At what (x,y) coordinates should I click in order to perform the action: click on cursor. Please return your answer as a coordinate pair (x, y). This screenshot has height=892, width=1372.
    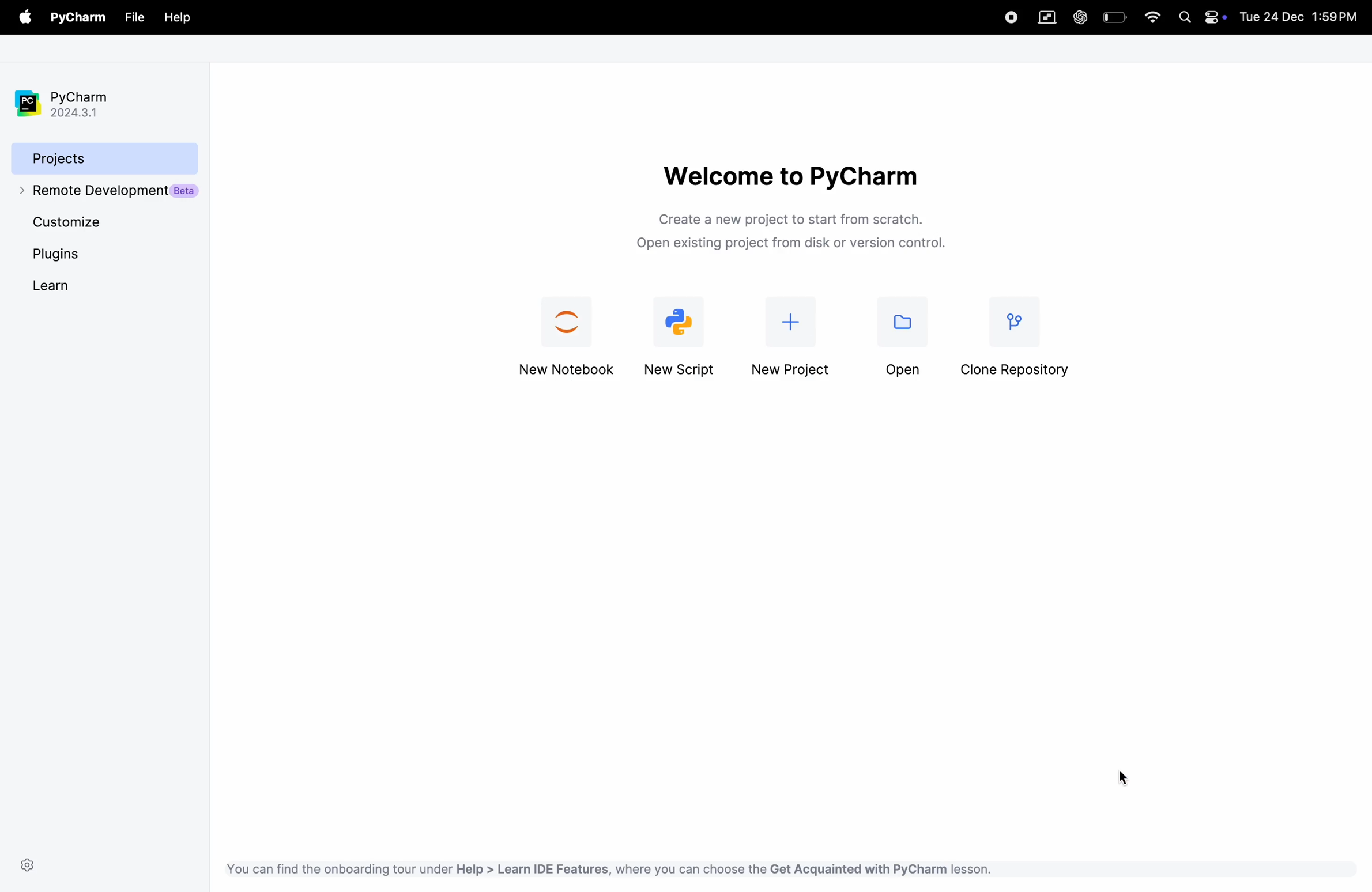
    Looking at the image, I should click on (1130, 777).